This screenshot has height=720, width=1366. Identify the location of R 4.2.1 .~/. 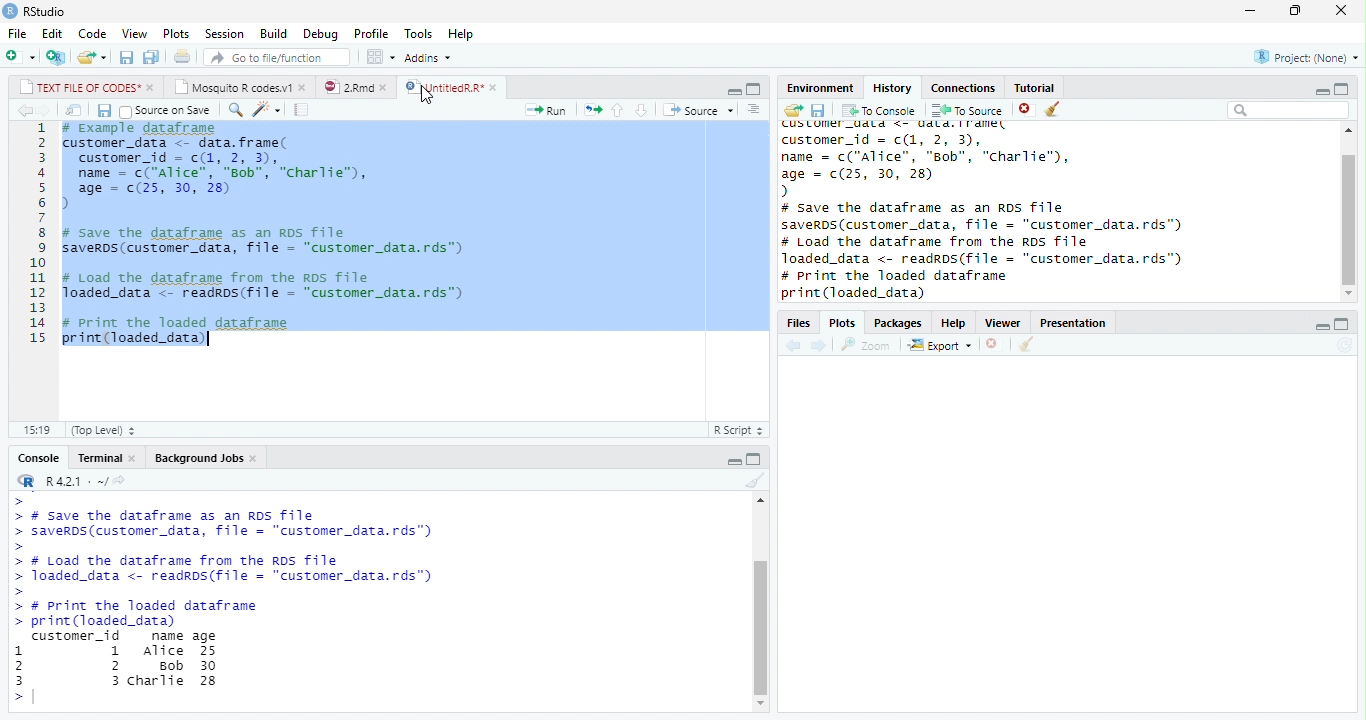
(73, 479).